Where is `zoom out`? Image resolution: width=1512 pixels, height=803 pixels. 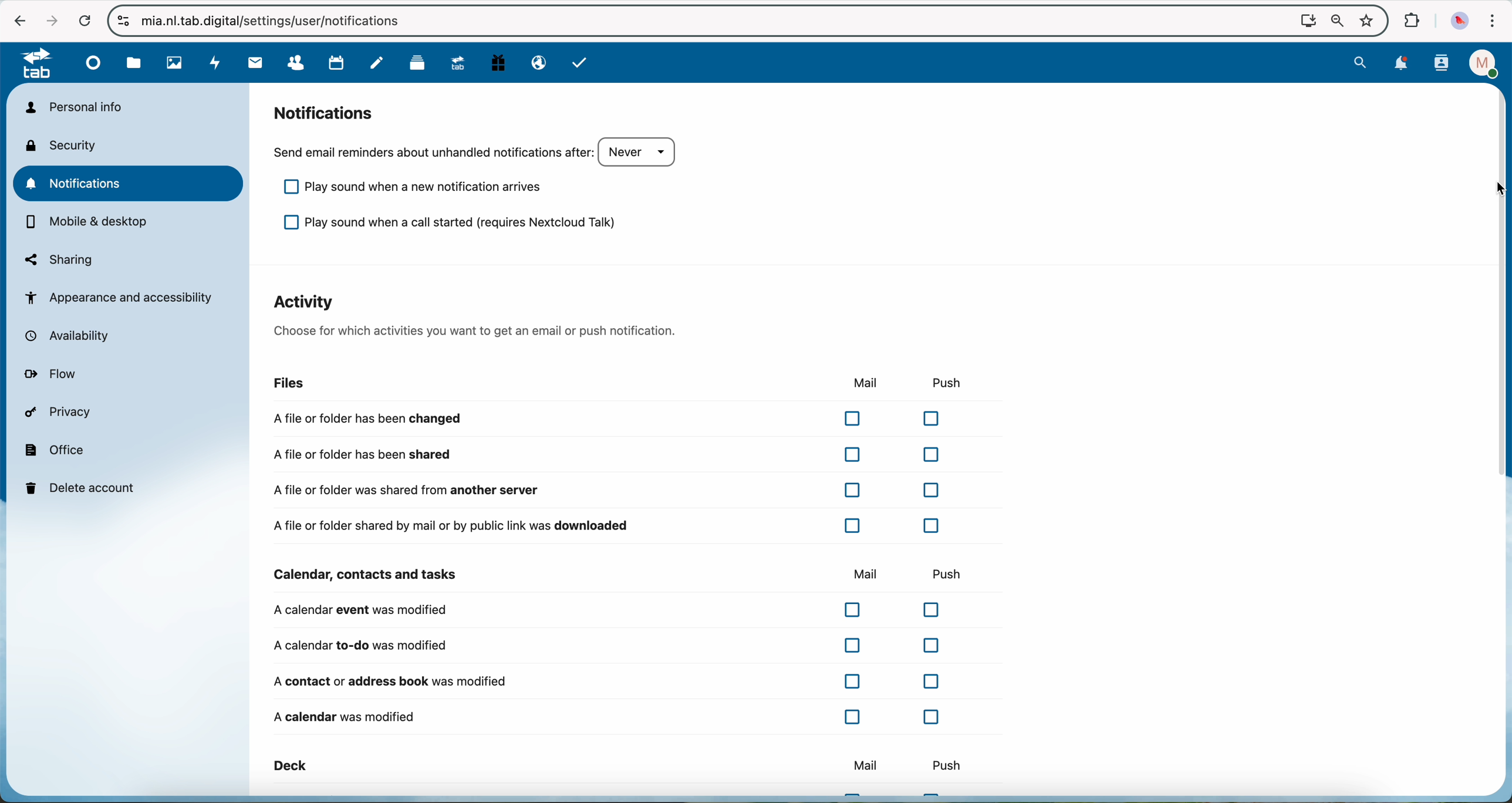 zoom out is located at coordinates (1334, 21).